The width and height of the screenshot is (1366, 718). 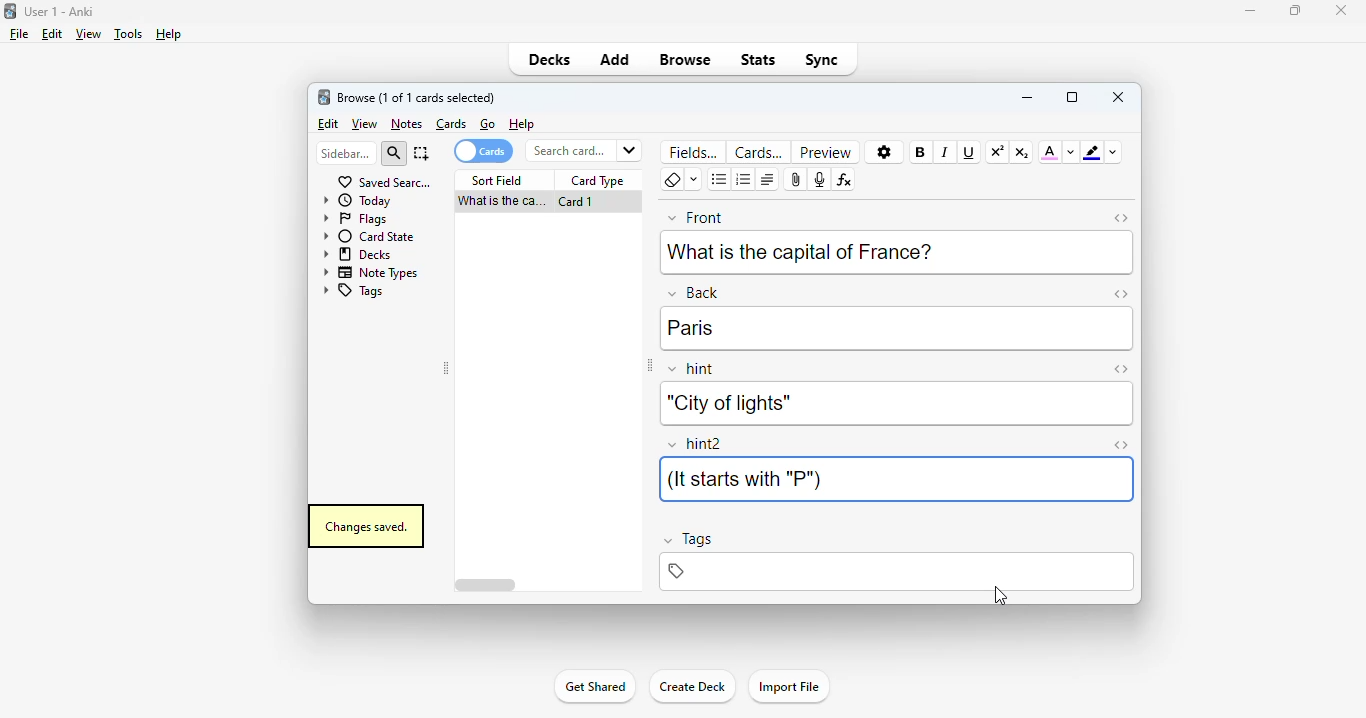 I want to click on browse, so click(x=685, y=59).